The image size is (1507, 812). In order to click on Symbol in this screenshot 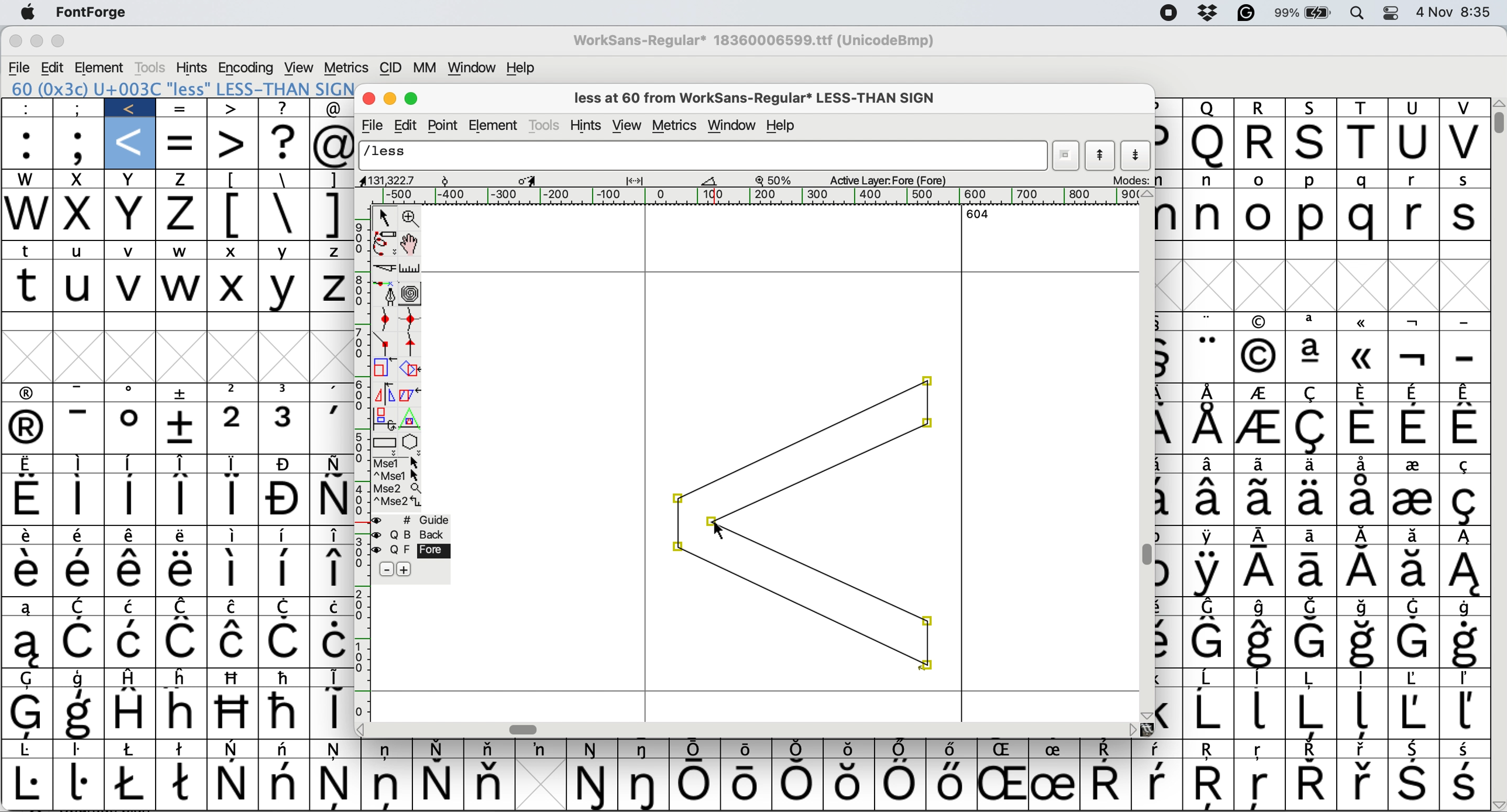, I will do `click(1261, 429)`.